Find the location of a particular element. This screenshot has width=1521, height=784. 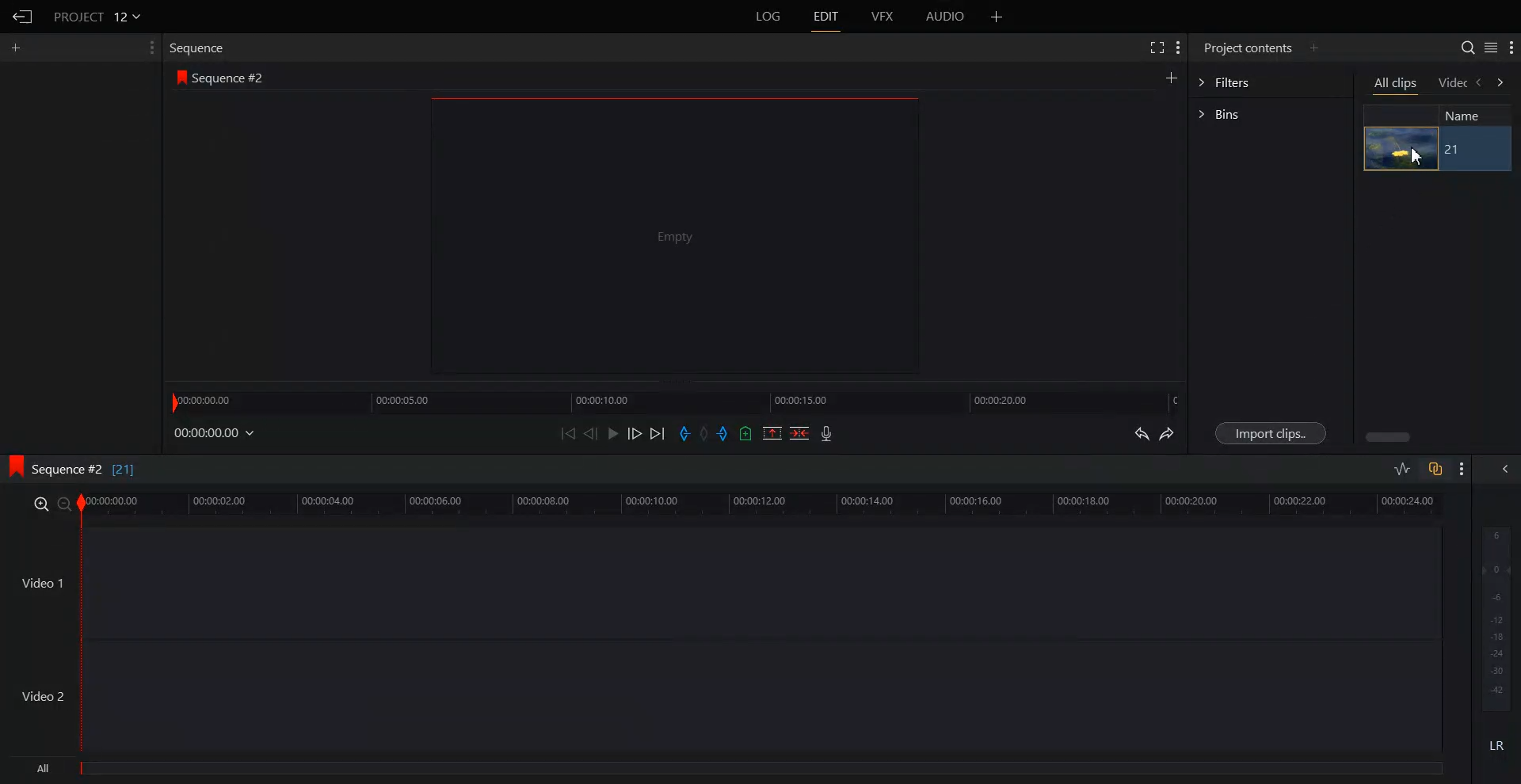

Nudge One frame Forwards is located at coordinates (634, 433).